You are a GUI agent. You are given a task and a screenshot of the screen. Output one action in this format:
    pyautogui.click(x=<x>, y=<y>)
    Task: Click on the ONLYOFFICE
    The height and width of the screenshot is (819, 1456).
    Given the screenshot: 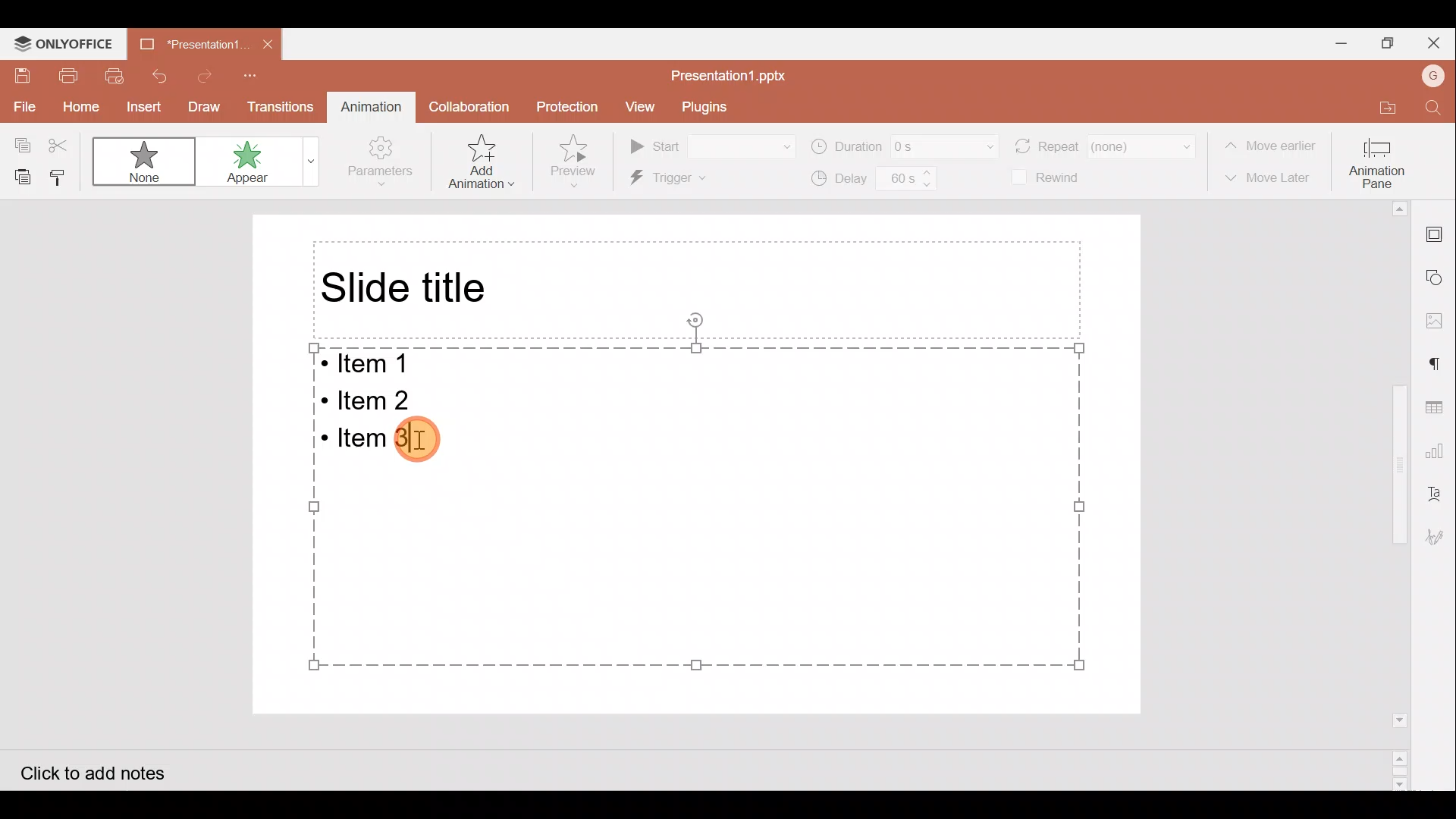 What is the action you would take?
    pyautogui.click(x=62, y=42)
    